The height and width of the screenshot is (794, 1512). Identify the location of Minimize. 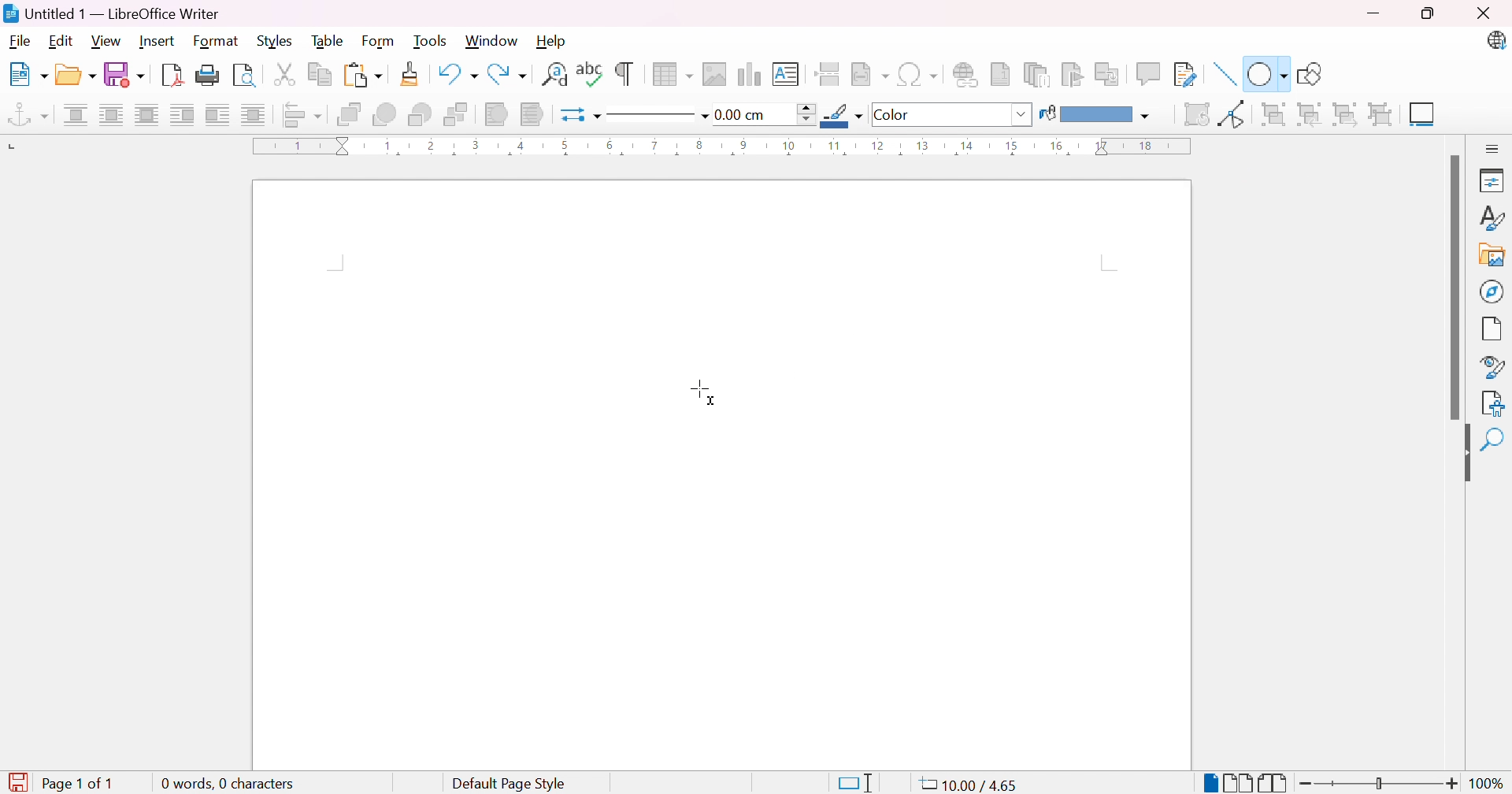
(1374, 15).